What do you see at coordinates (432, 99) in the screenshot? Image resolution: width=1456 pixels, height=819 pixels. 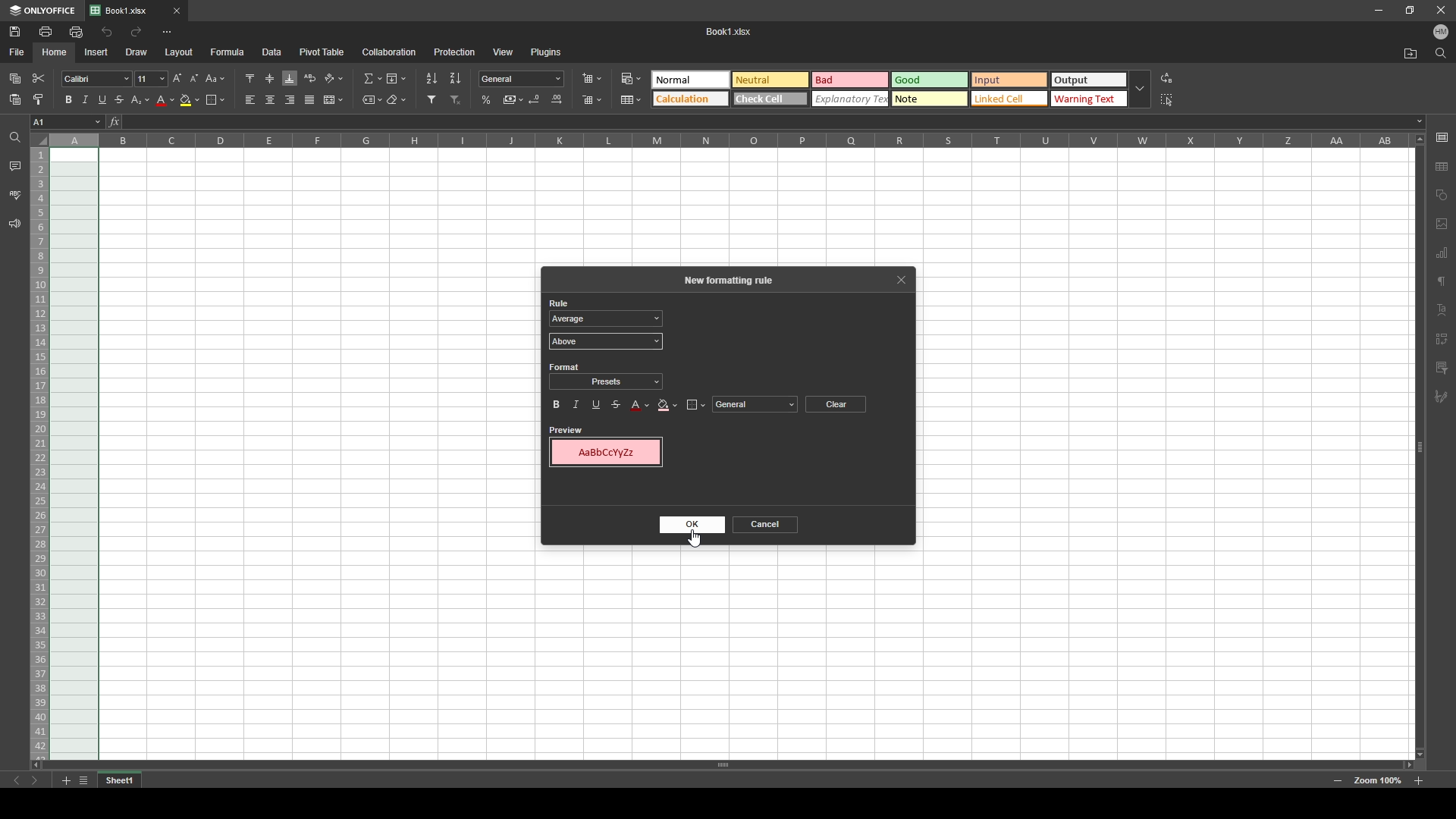 I see `filter` at bounding box center [432, 99].